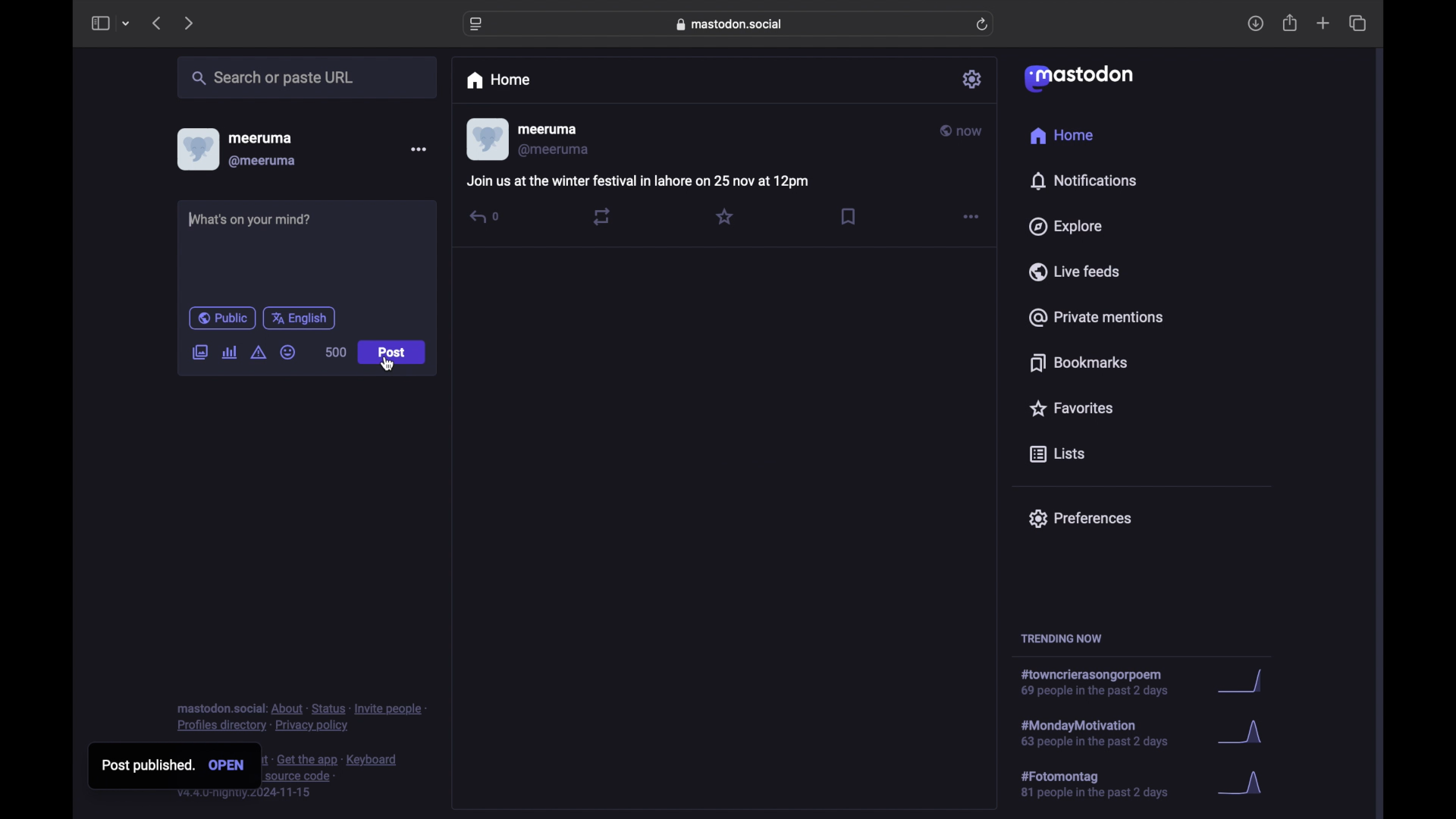 This screenshot has width=1456, height=819. What do you see at coordinates (974, 79) in the screenshot?
I see `settings` at bounding box center [974, 79].